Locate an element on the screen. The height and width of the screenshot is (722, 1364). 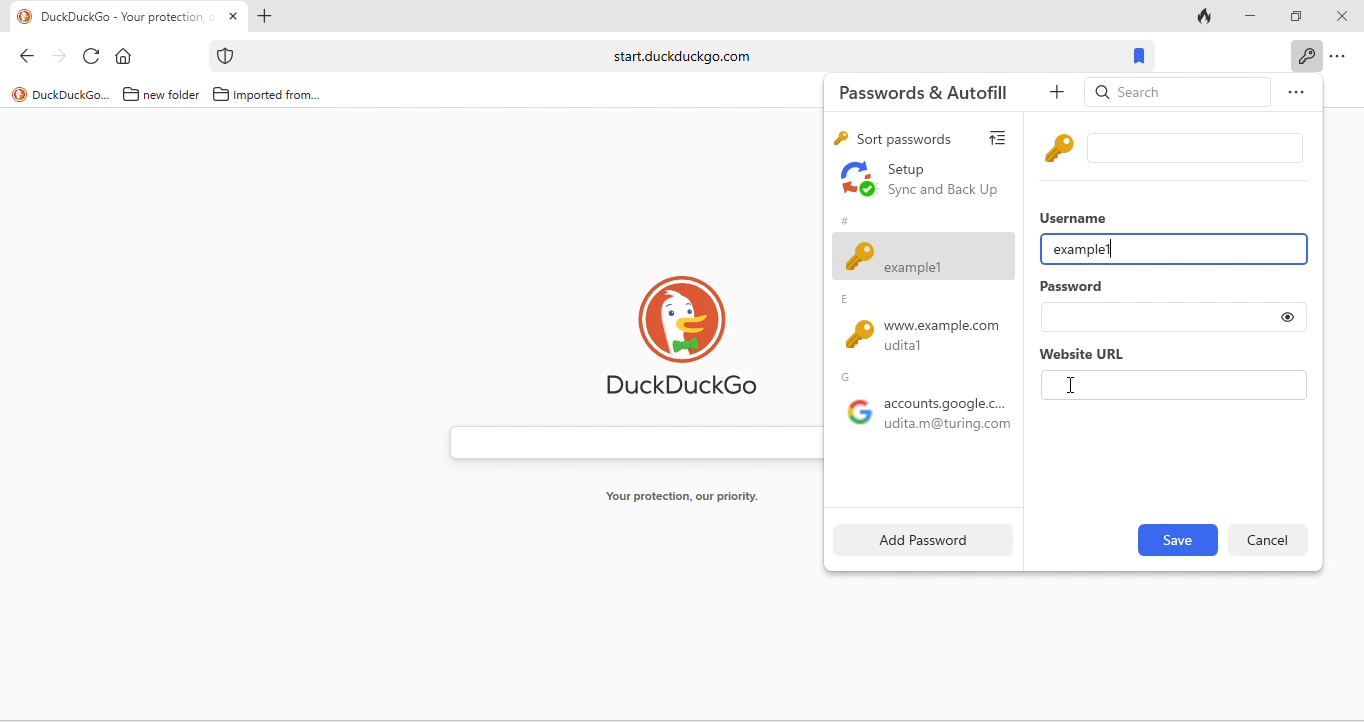
view is located at coordinates (997, 137).